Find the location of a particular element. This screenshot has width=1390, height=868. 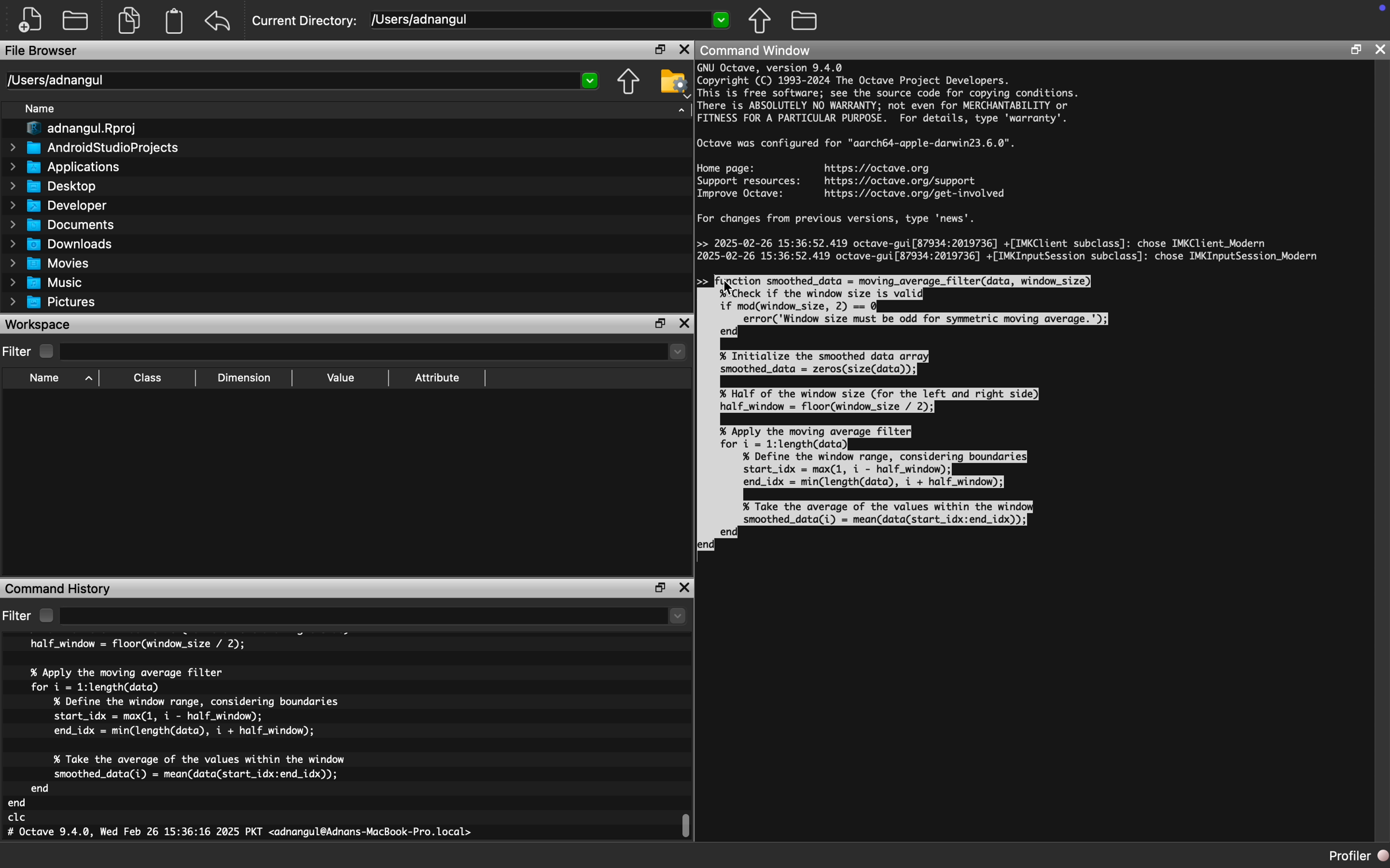

Folder Settings is located at coordinates (674, 83).